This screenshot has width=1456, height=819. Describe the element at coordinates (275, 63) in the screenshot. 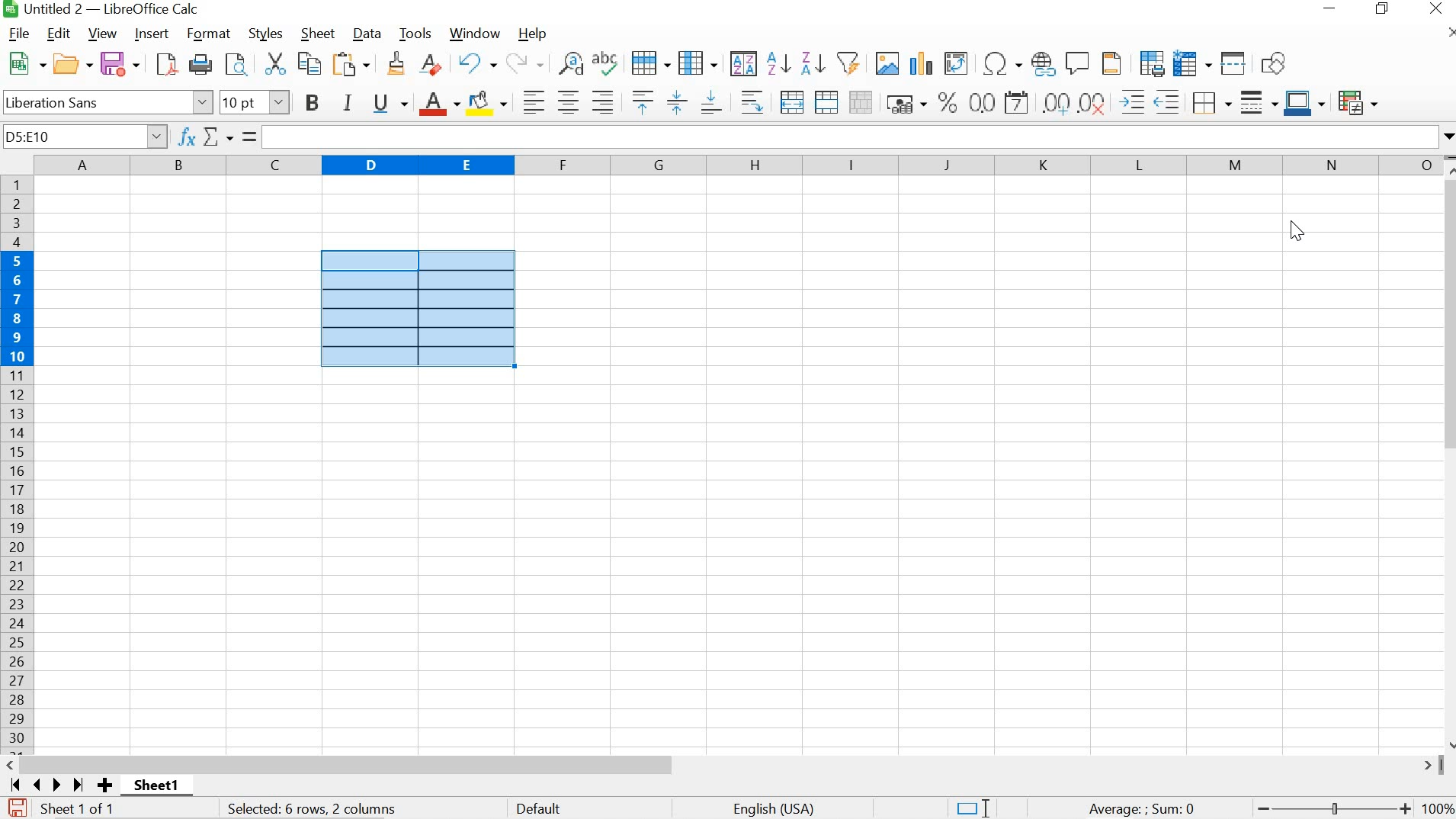

I see `CUT` at that location.